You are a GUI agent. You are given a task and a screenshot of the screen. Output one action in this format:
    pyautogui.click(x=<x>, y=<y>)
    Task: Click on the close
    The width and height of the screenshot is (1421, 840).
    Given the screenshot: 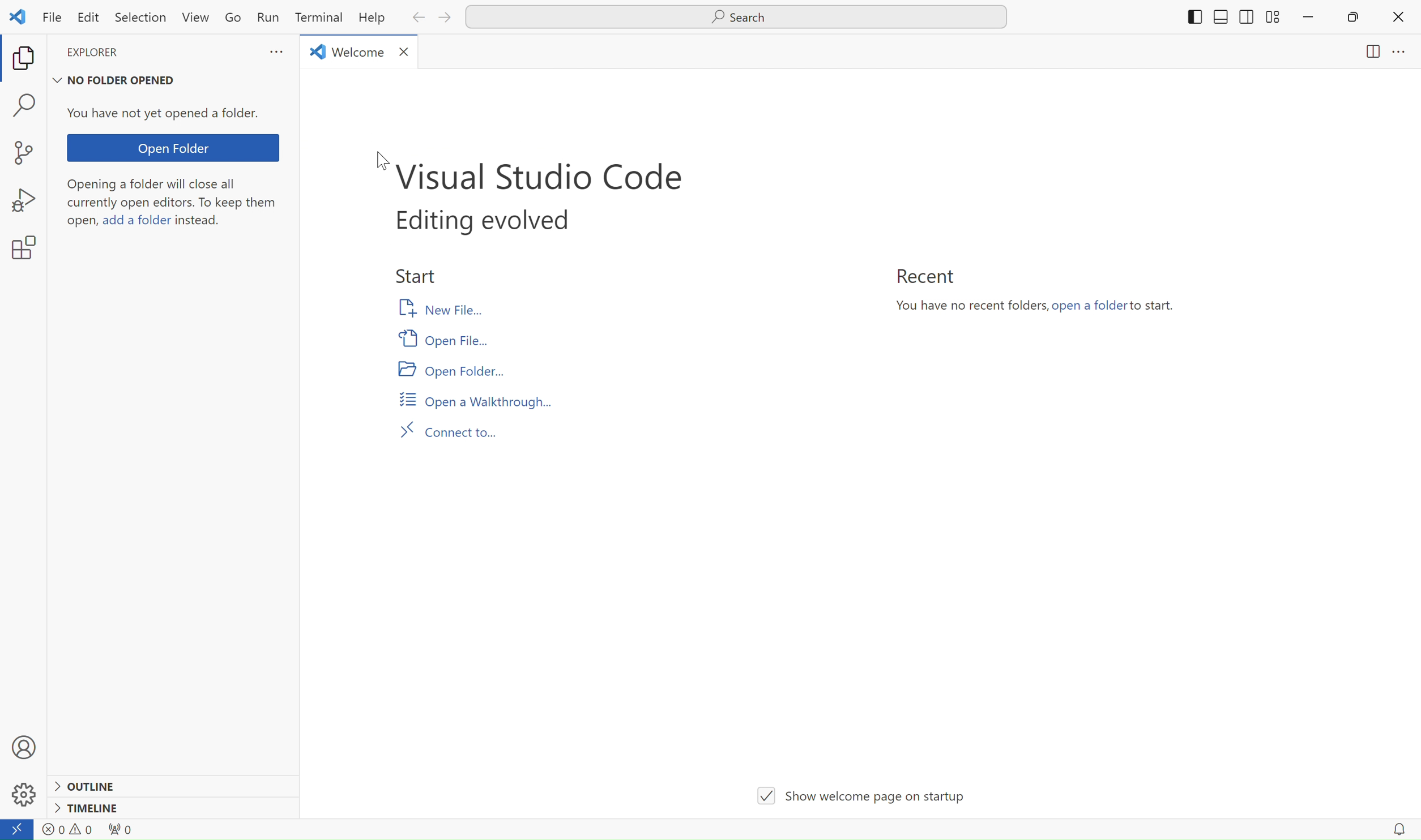 What is the action you would take?
    pyautogui.click(x=1397, y=14)
    